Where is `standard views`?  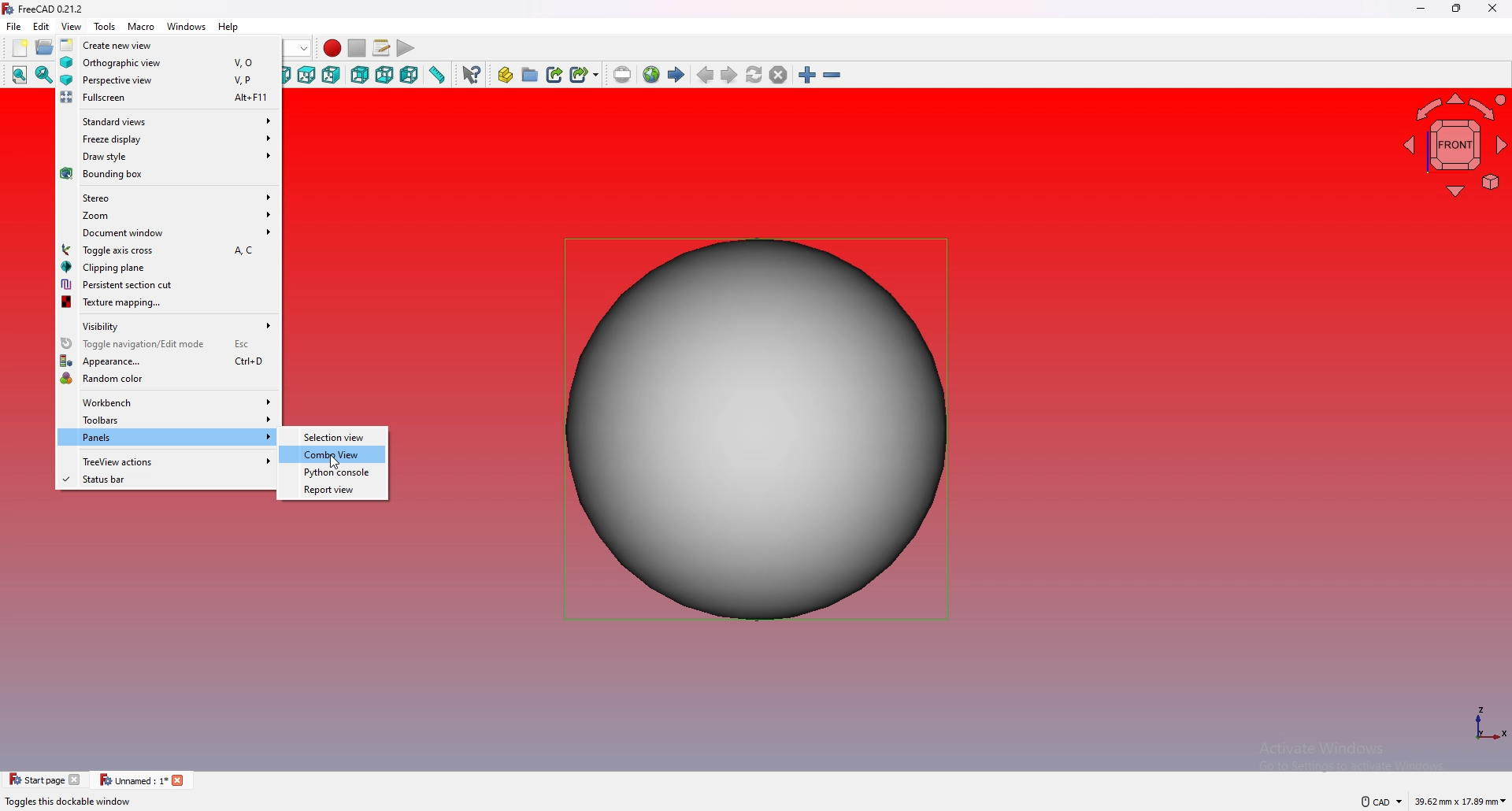 standard views is located at coordinates (168, 120).